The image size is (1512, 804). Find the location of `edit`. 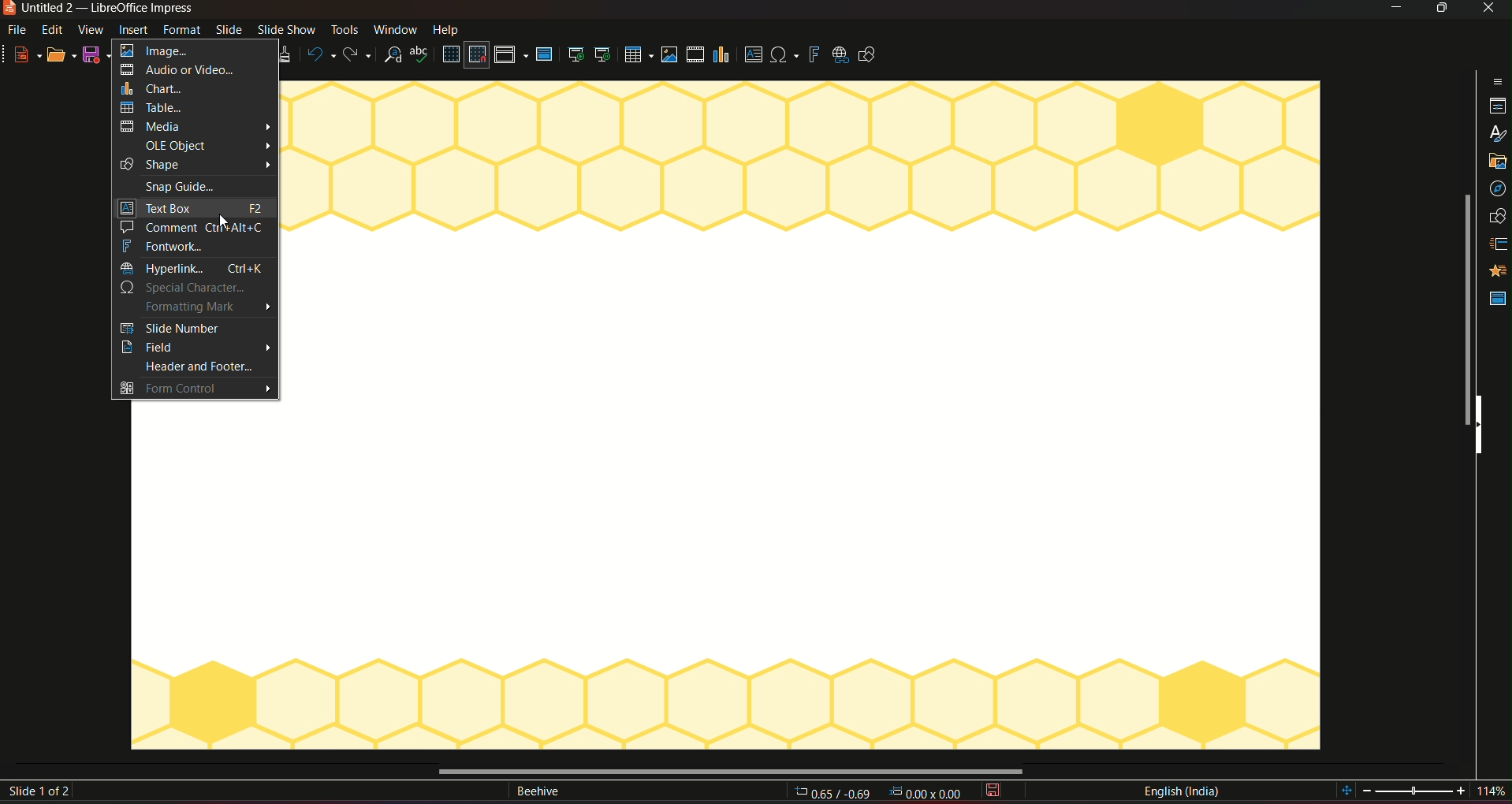

edit is located at coordinates (53, 31).